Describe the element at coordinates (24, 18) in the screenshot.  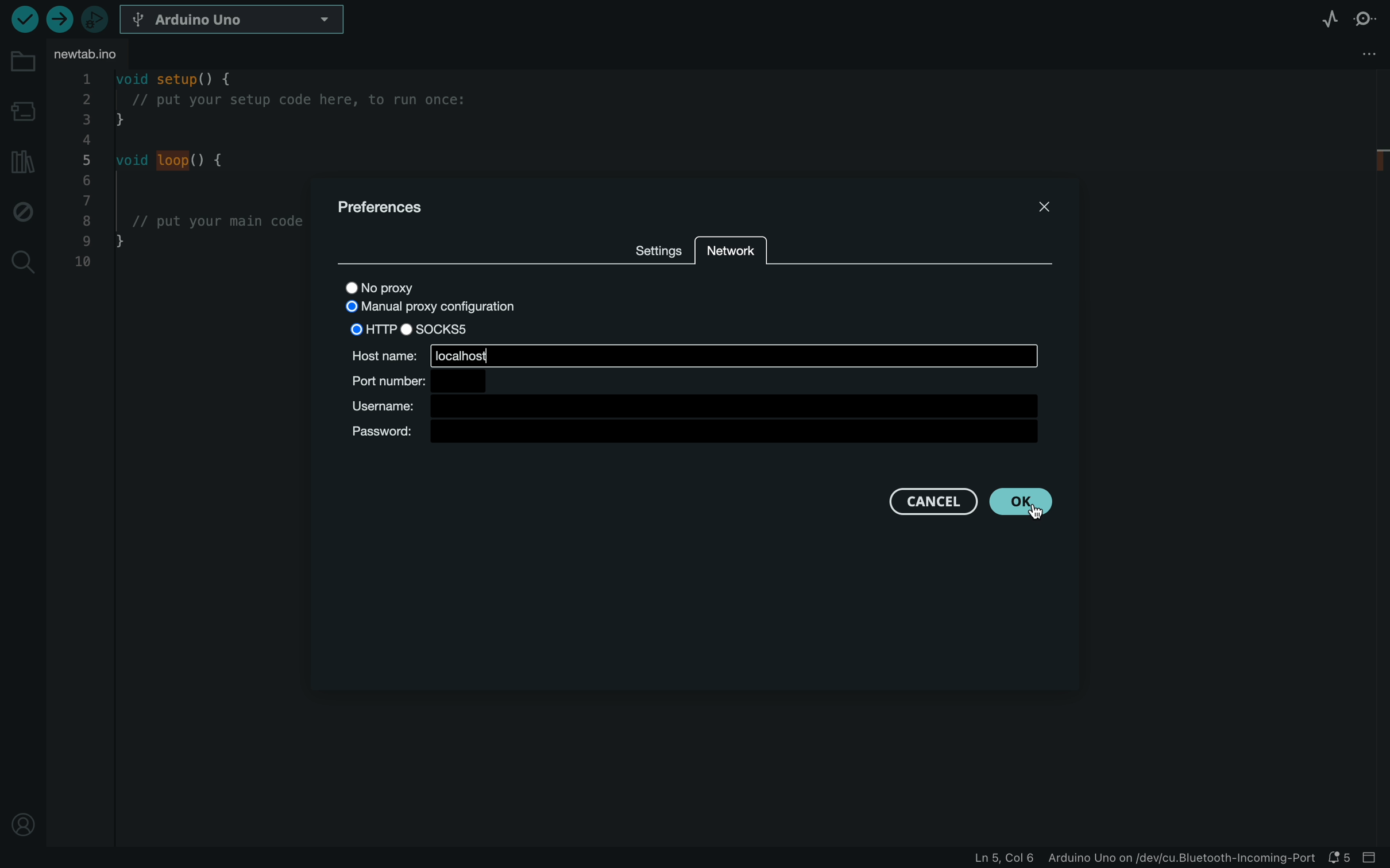
I see `verify` at that location.